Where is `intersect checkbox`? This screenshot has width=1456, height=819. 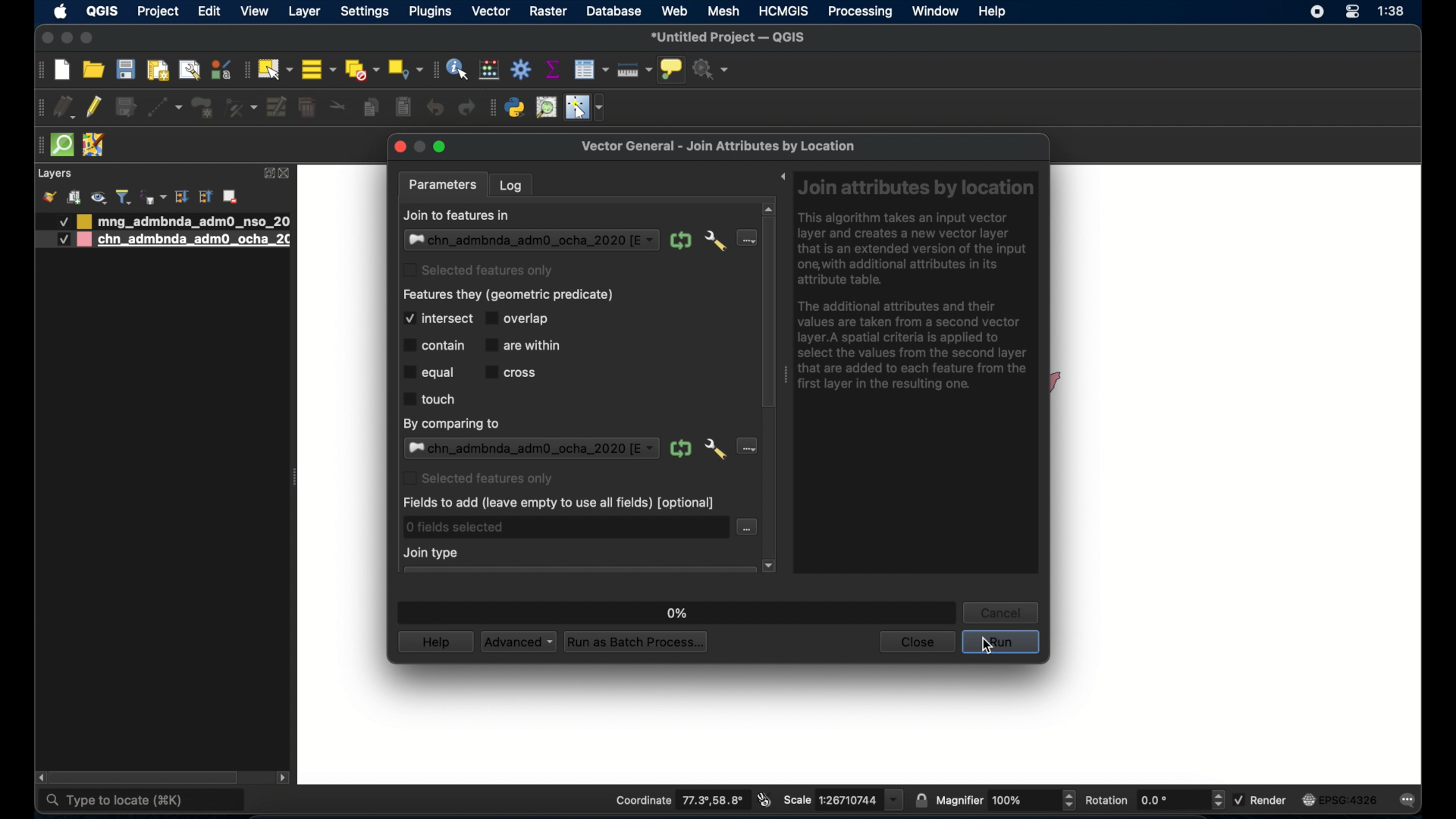
intersect checkbox is located at coordinates (438, 318).